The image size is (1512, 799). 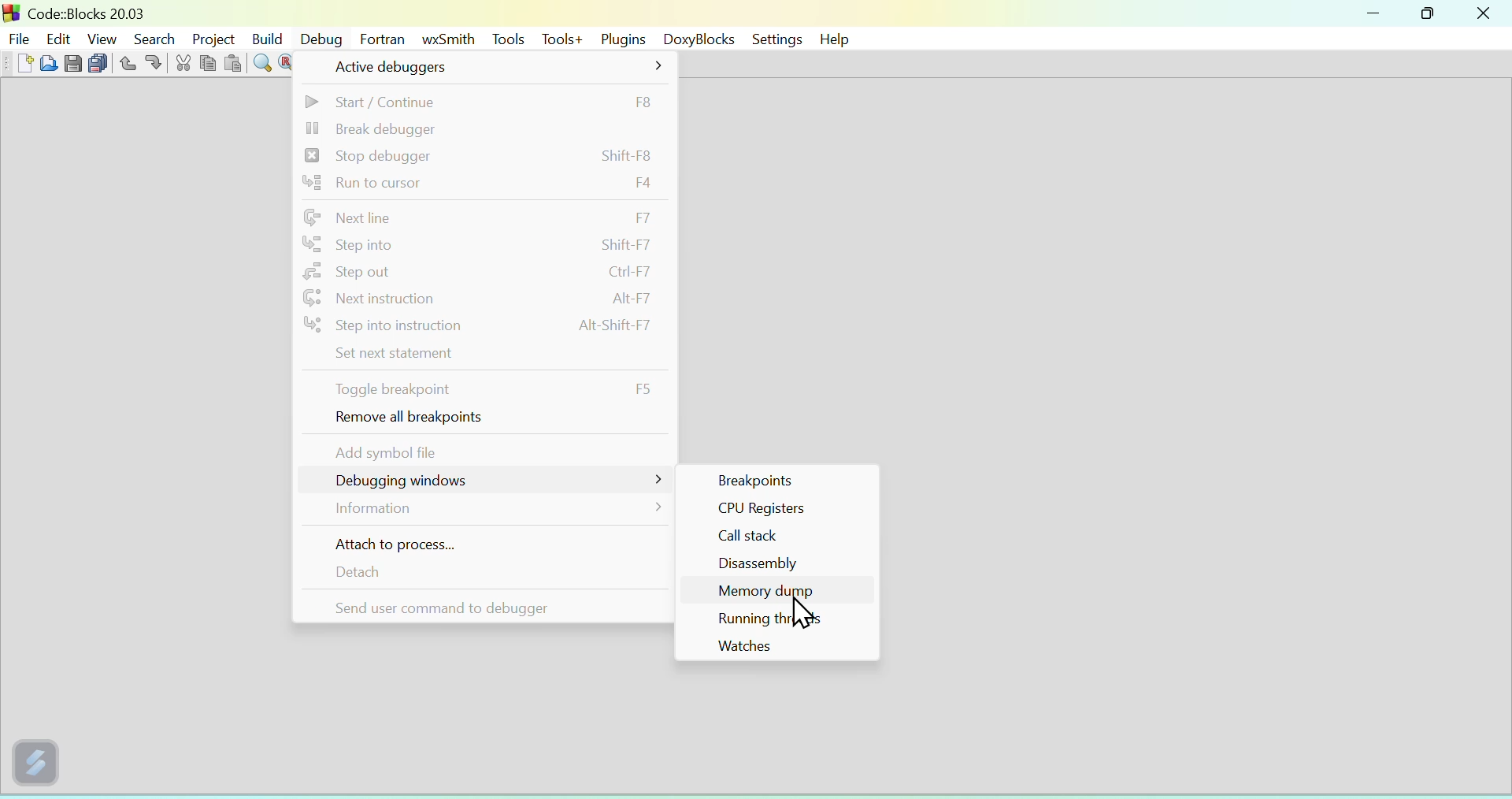 I want to click on paste, so click(x=232, y=65).